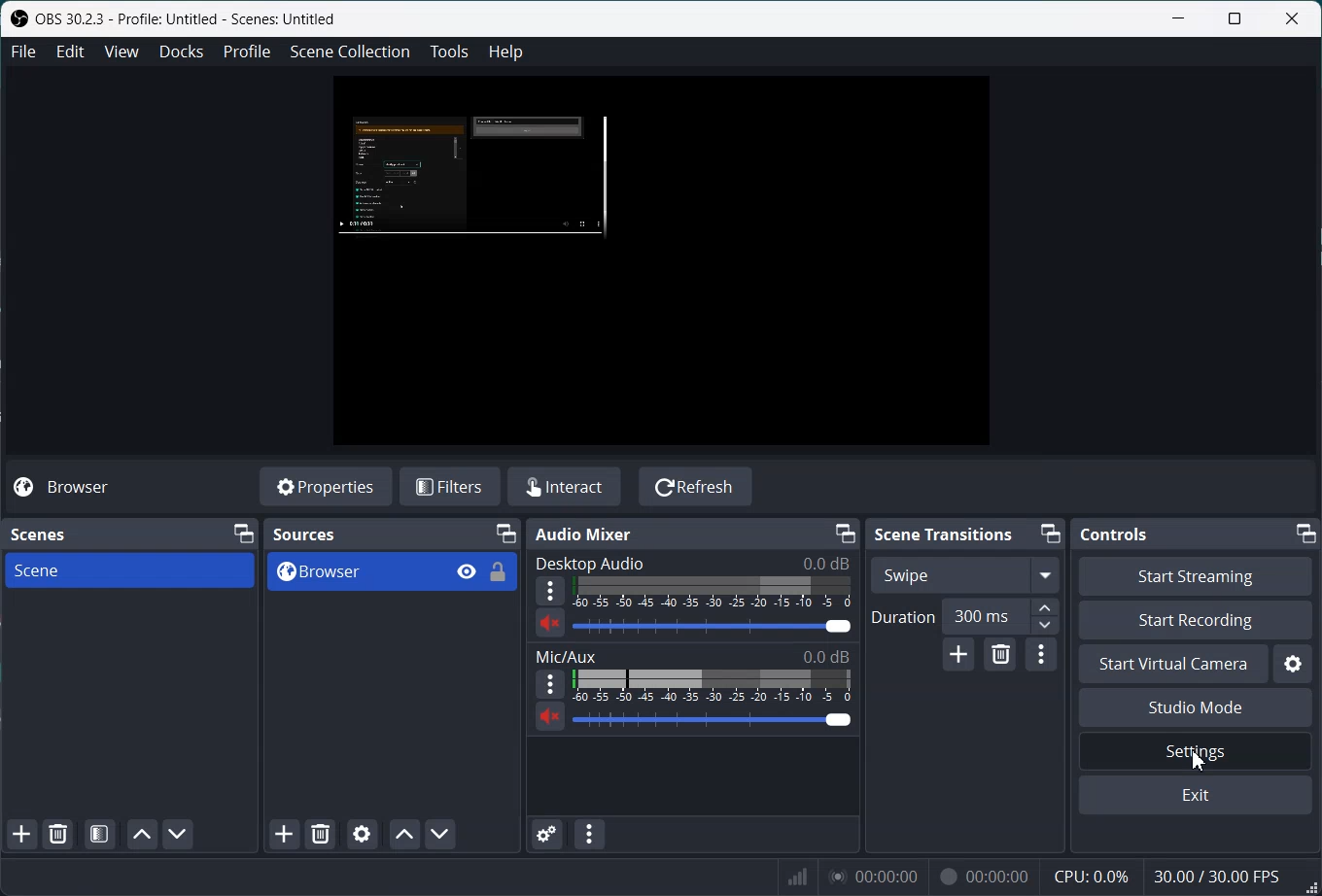 This screenshot has width=1322, height=896. What do you see at coordinates (547, 835) in the screenshot?
I see `Advance Audio properties` at bounding box center [547, 835].